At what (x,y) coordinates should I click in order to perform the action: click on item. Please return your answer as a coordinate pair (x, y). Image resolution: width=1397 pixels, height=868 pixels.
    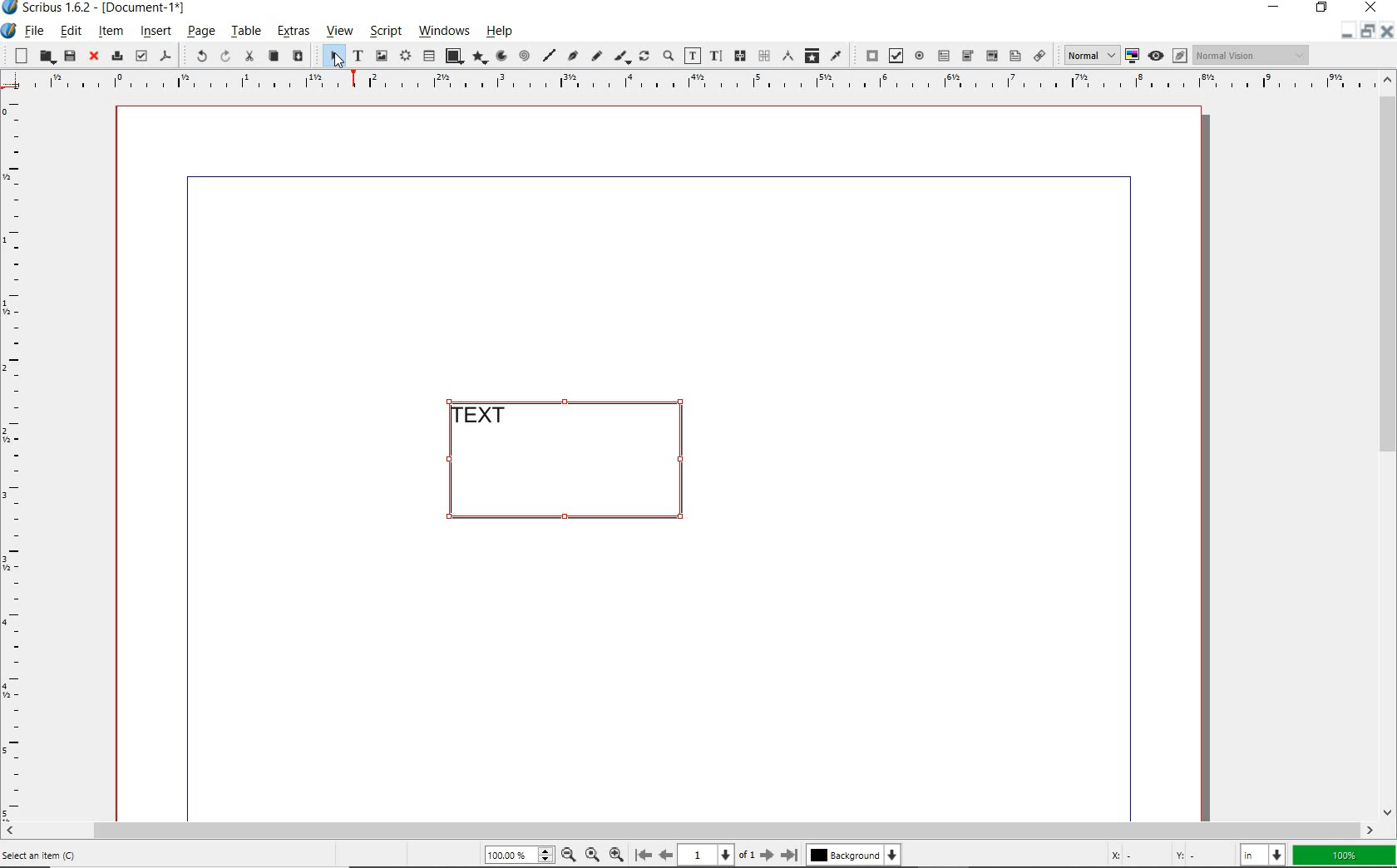
    Looking at the image, I should click on (112, 33).